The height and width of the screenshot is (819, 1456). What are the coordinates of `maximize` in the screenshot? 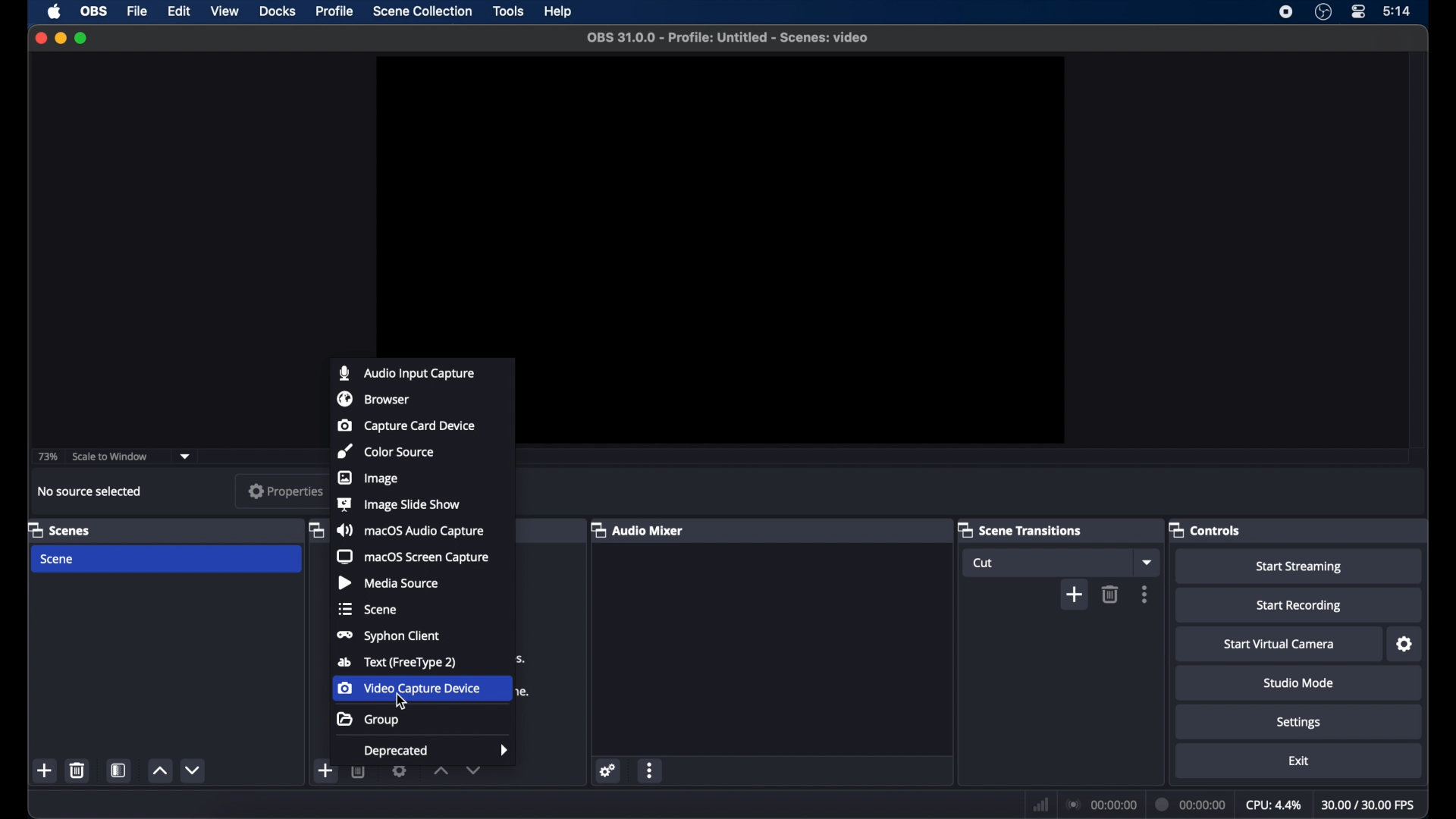 It's located at (82, 38).